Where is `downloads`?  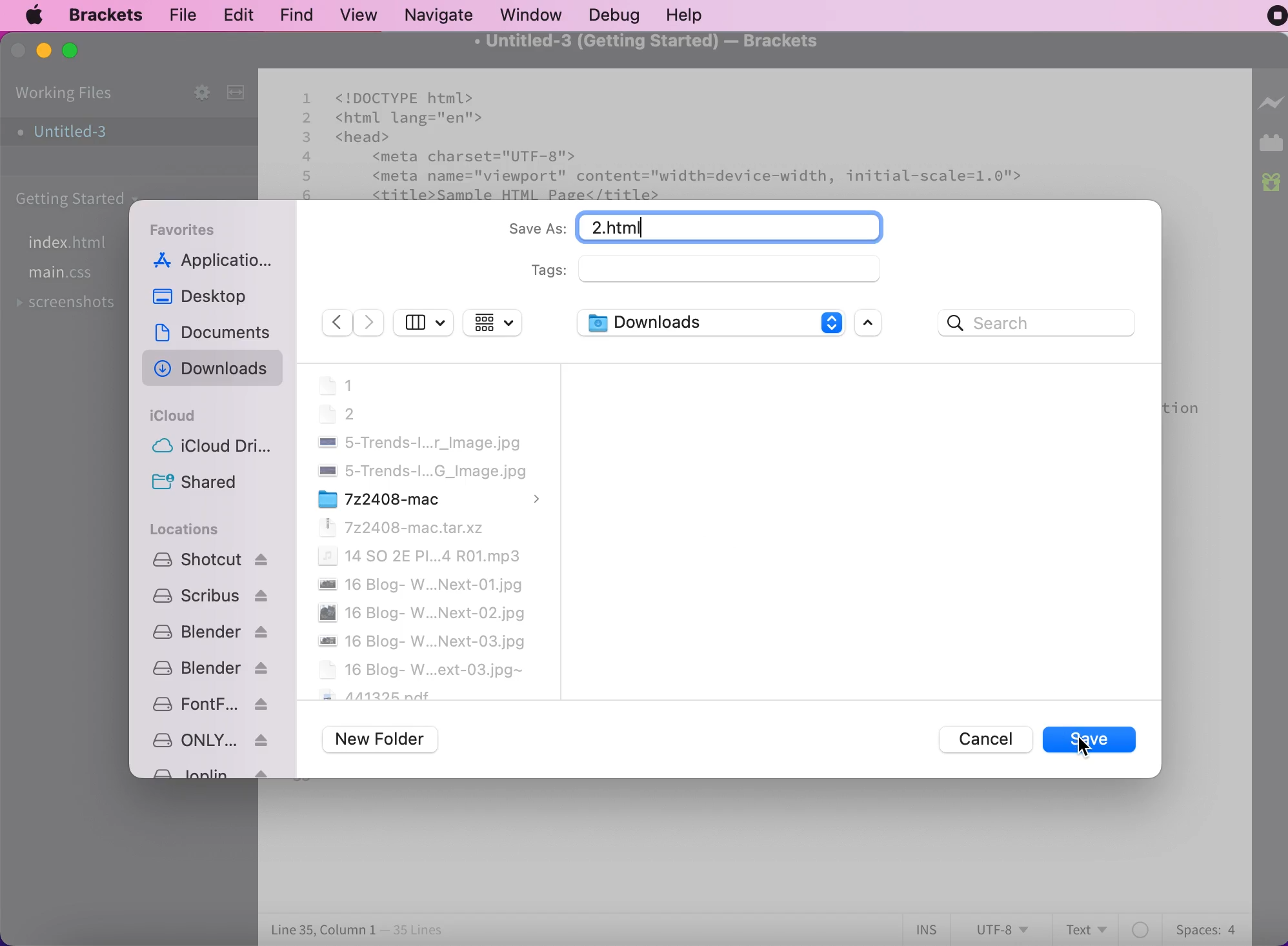 downloads is located at coordinates (709, 325).